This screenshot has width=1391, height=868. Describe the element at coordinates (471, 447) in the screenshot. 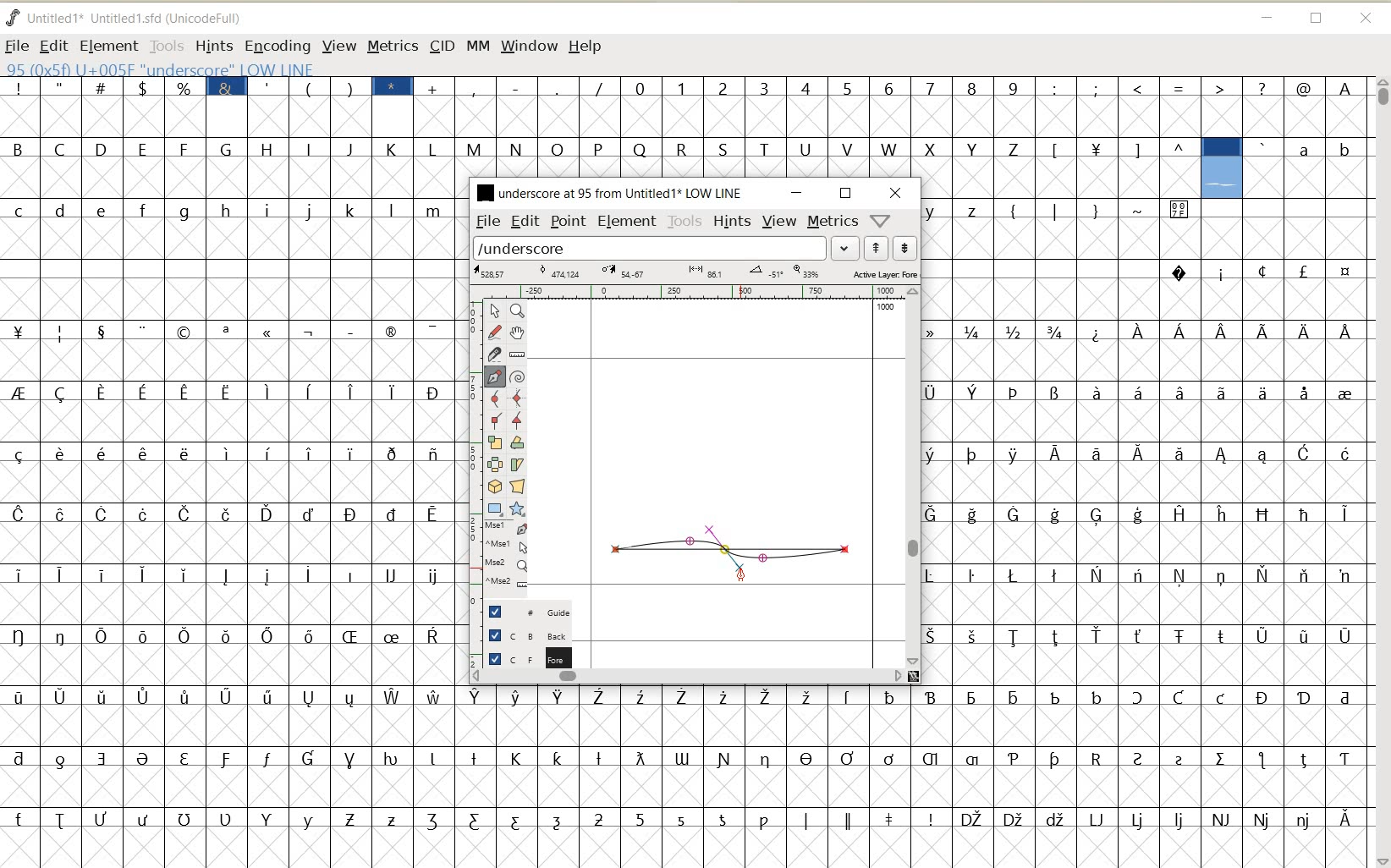

I see `SCALE` at that location.